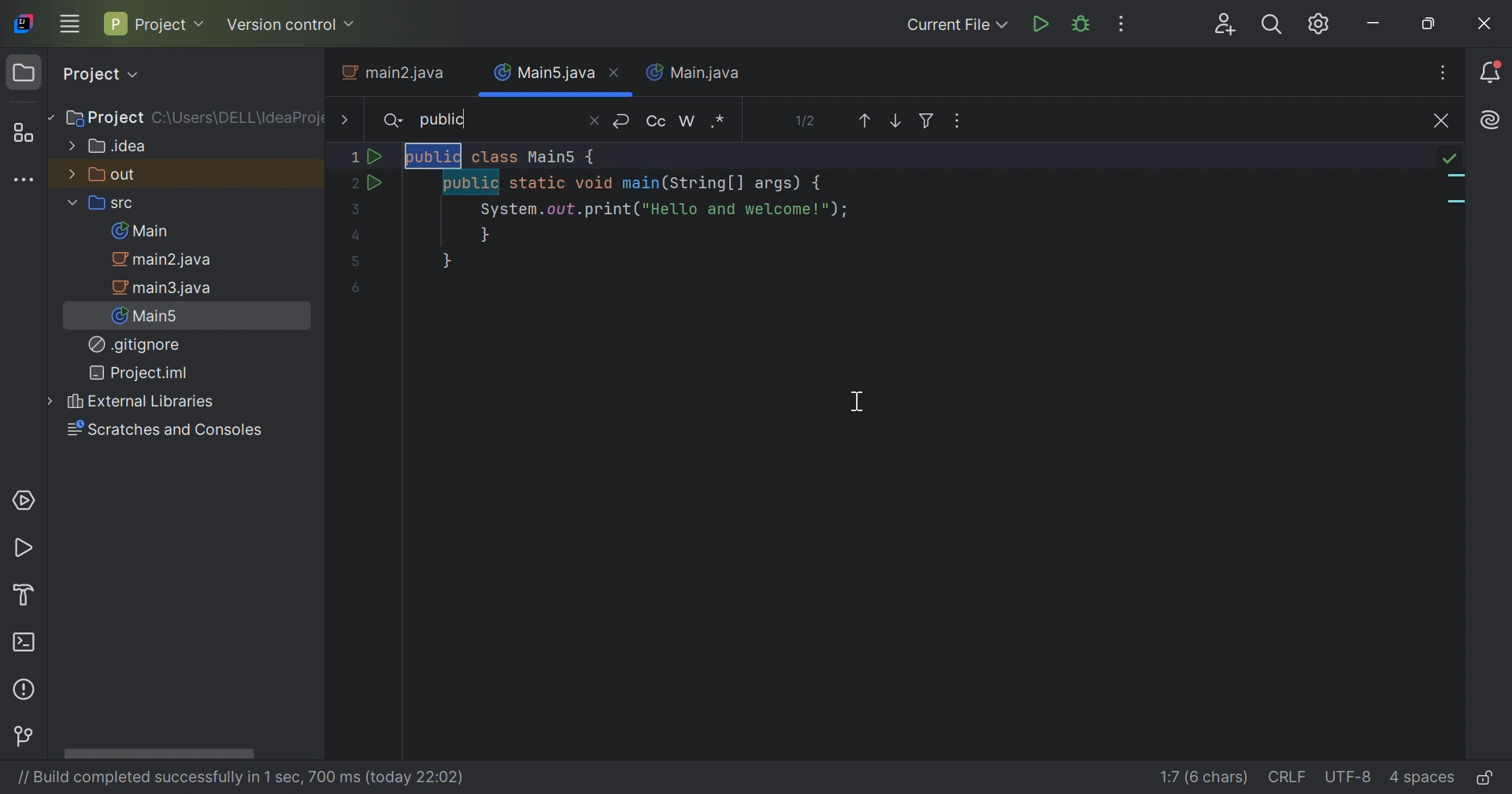 The image size is (1512, 794). What do you see at coordinates (358, 288) in the screenshot?
I see `6` at bounding box center [358, 288].